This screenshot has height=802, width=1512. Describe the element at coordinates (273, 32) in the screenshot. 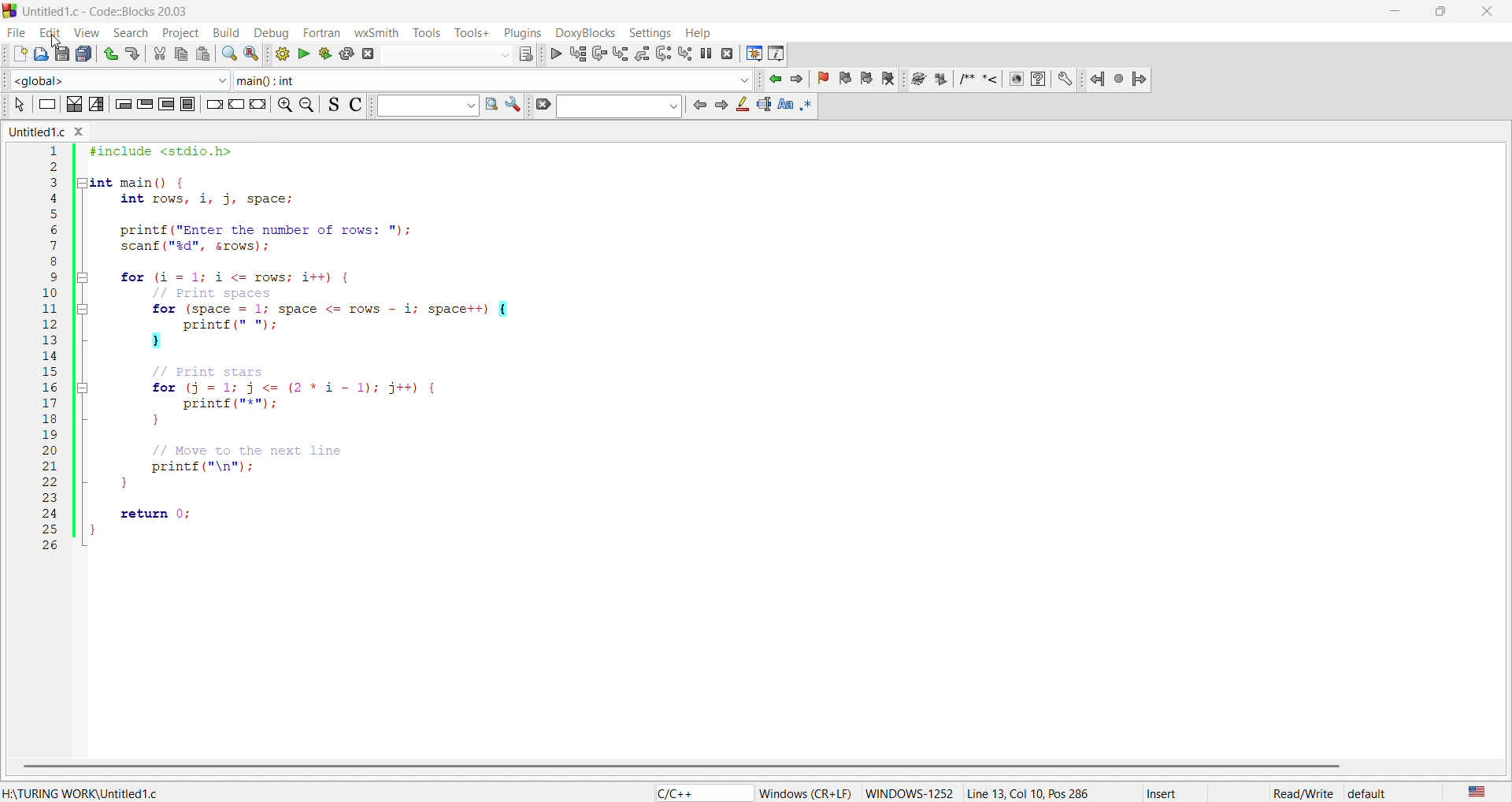

I see `debug` at that location.